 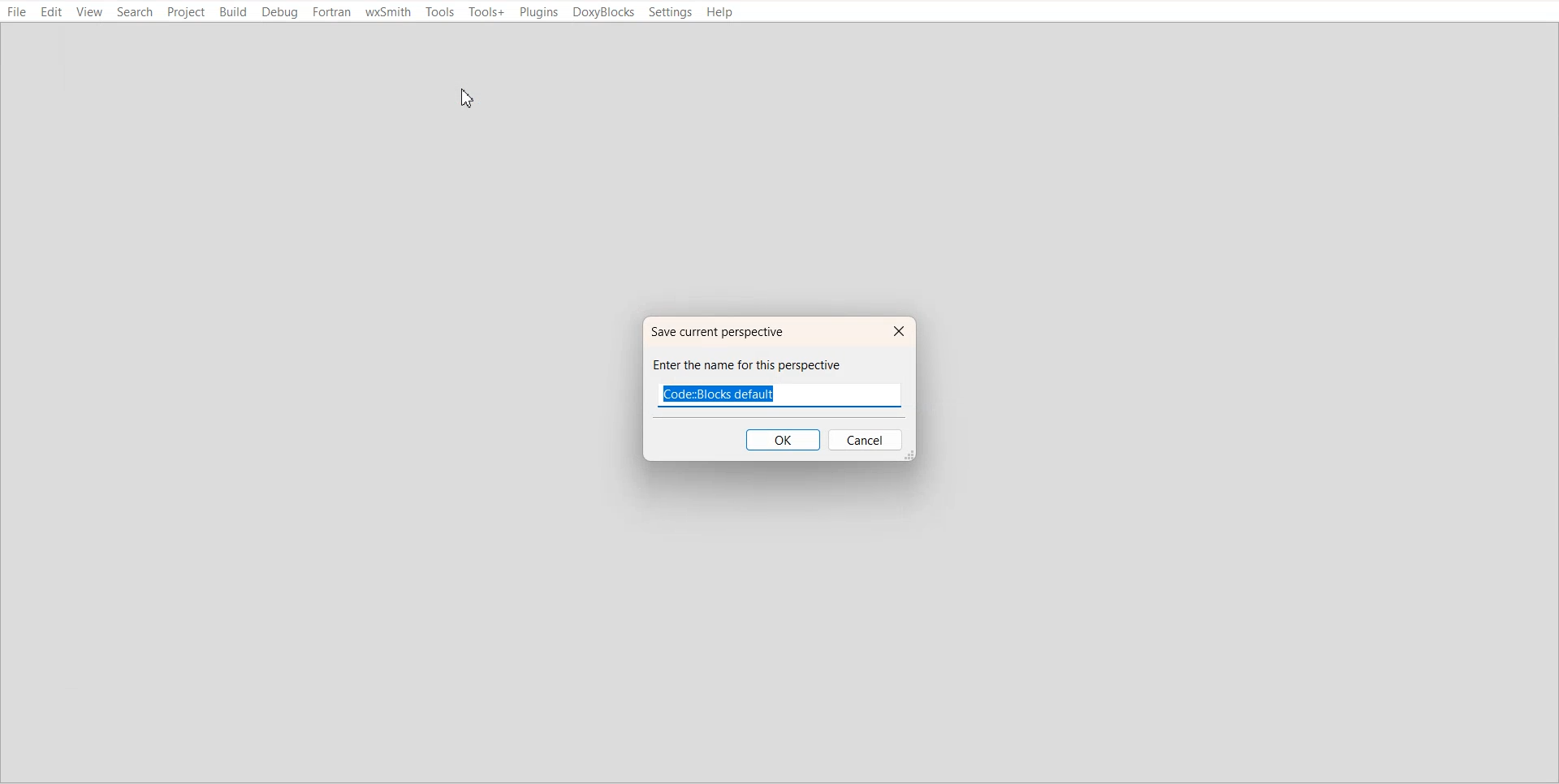 What do you see at coordinates (721, 12) in the screenshot?
I see `Help` at bounding box center [721, 12].